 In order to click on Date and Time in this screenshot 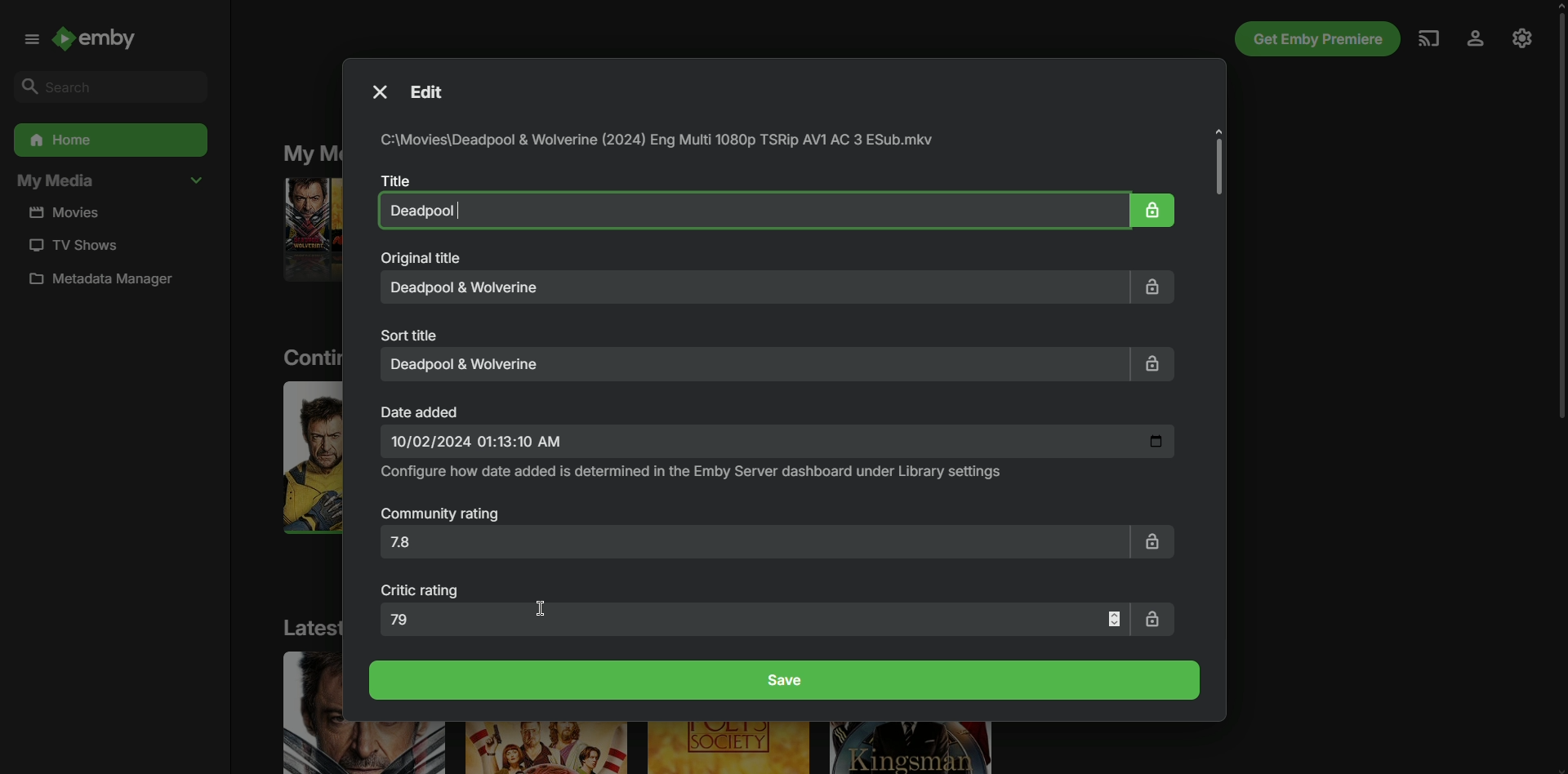, I will do `click(777, 443)`.